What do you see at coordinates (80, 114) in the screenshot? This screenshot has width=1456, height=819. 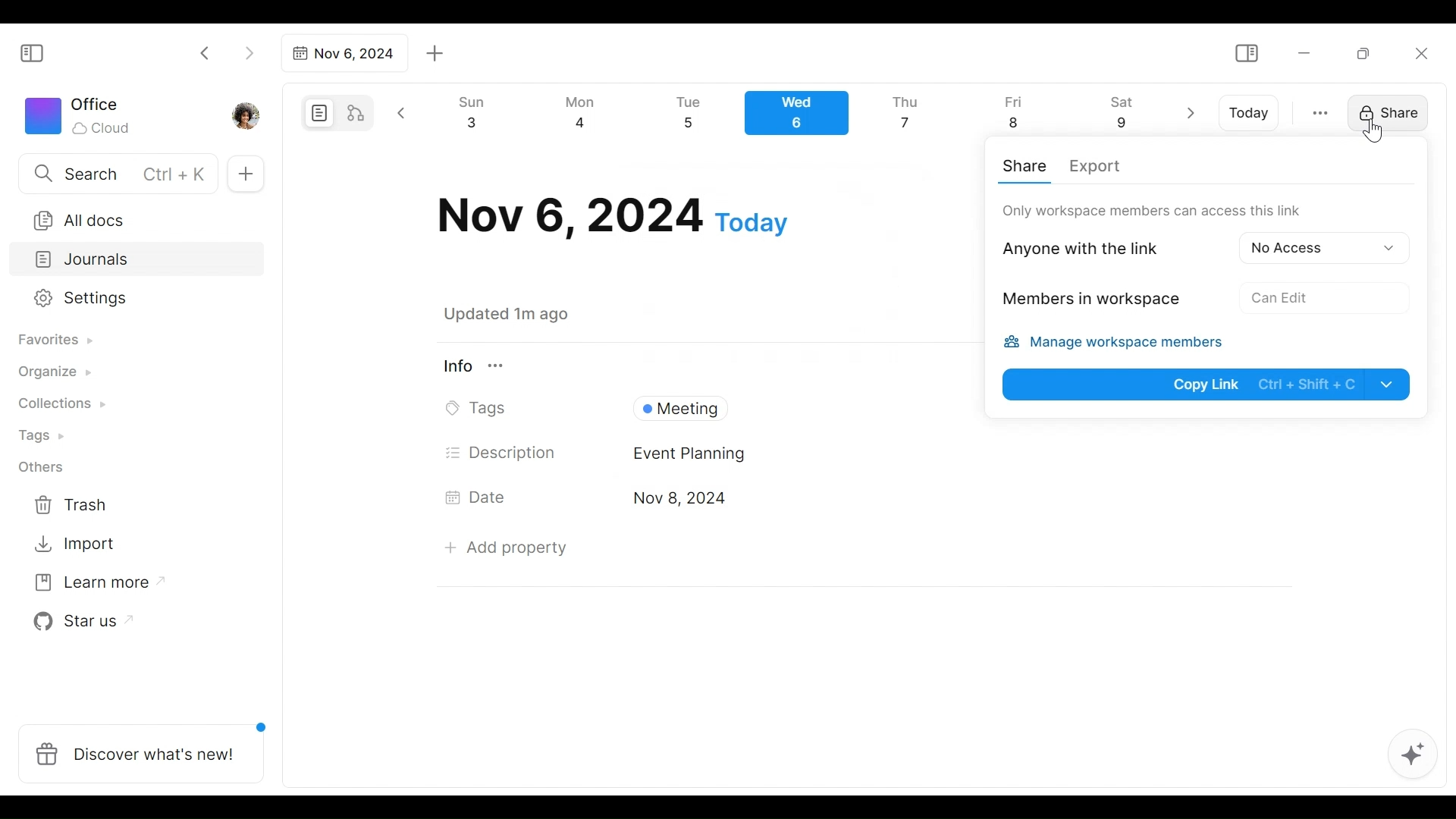 I see `Workspace icon` at bounding box center [80, 114].